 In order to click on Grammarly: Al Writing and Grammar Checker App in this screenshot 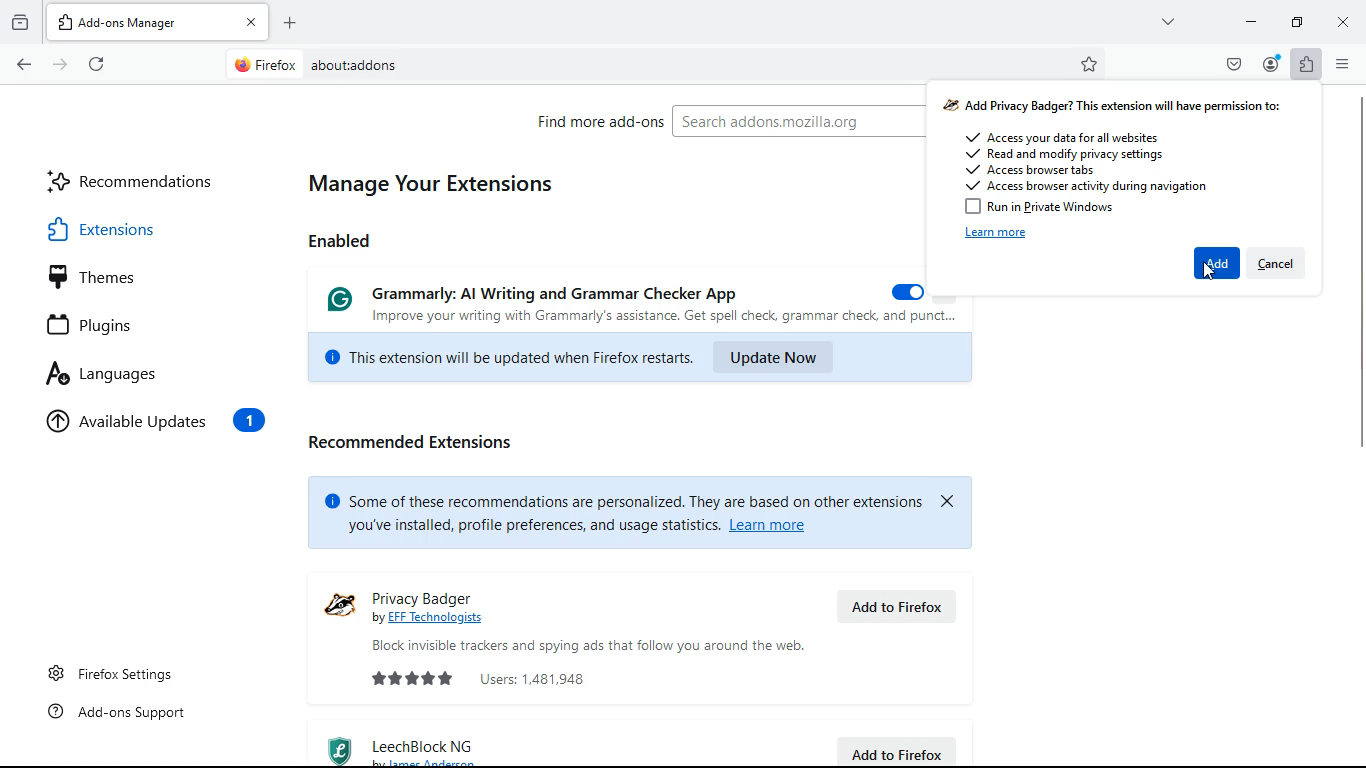, I will do `click(559, 291)`.